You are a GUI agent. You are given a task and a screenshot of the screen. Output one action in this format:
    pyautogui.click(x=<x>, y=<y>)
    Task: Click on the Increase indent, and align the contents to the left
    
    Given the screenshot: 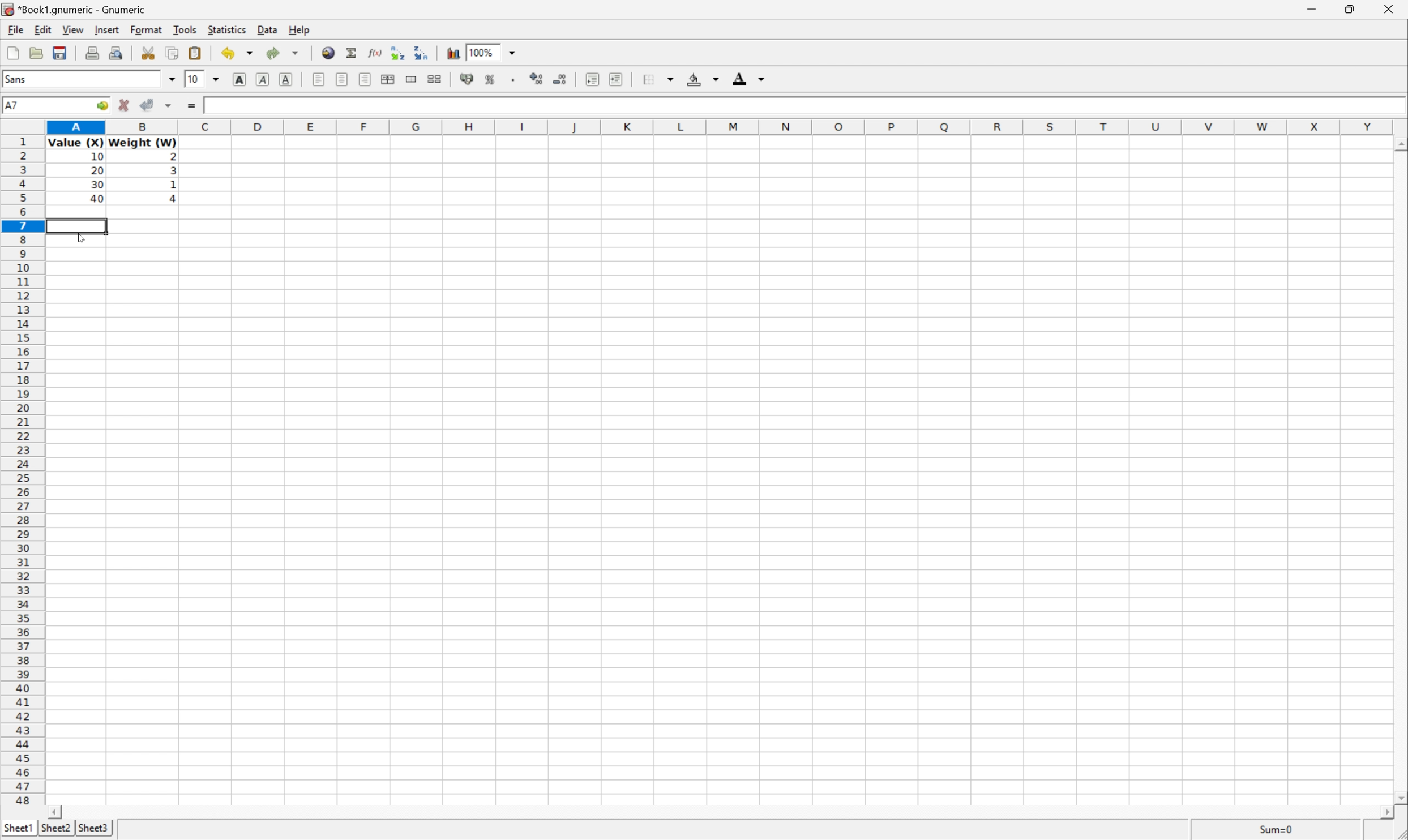 What is the action you would take?
    pyautogui.click(x=620, y=78)
    